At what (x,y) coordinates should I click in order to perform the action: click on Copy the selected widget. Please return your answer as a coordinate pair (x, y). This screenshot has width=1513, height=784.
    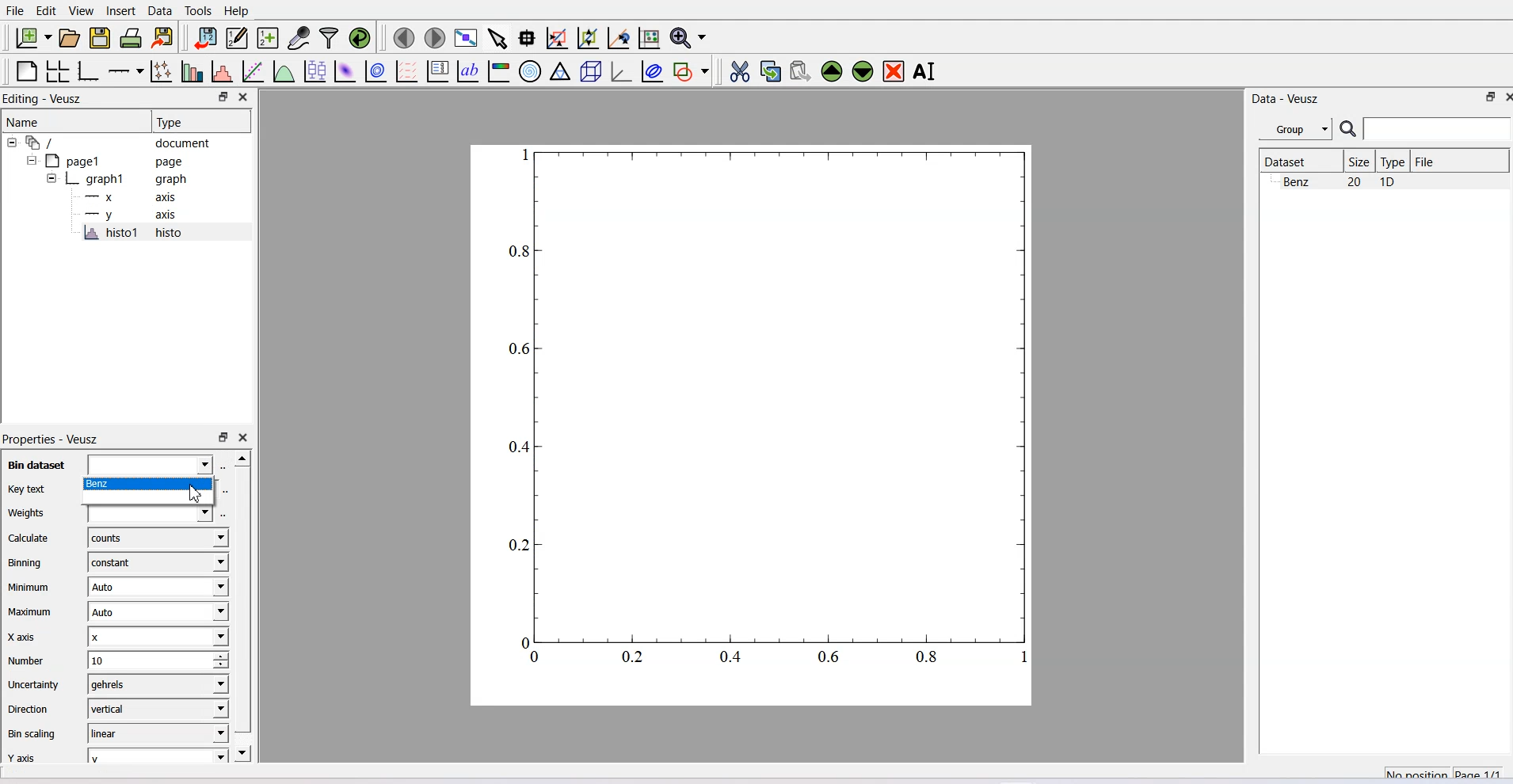
    Looking at the image, I should click on (771, 71).